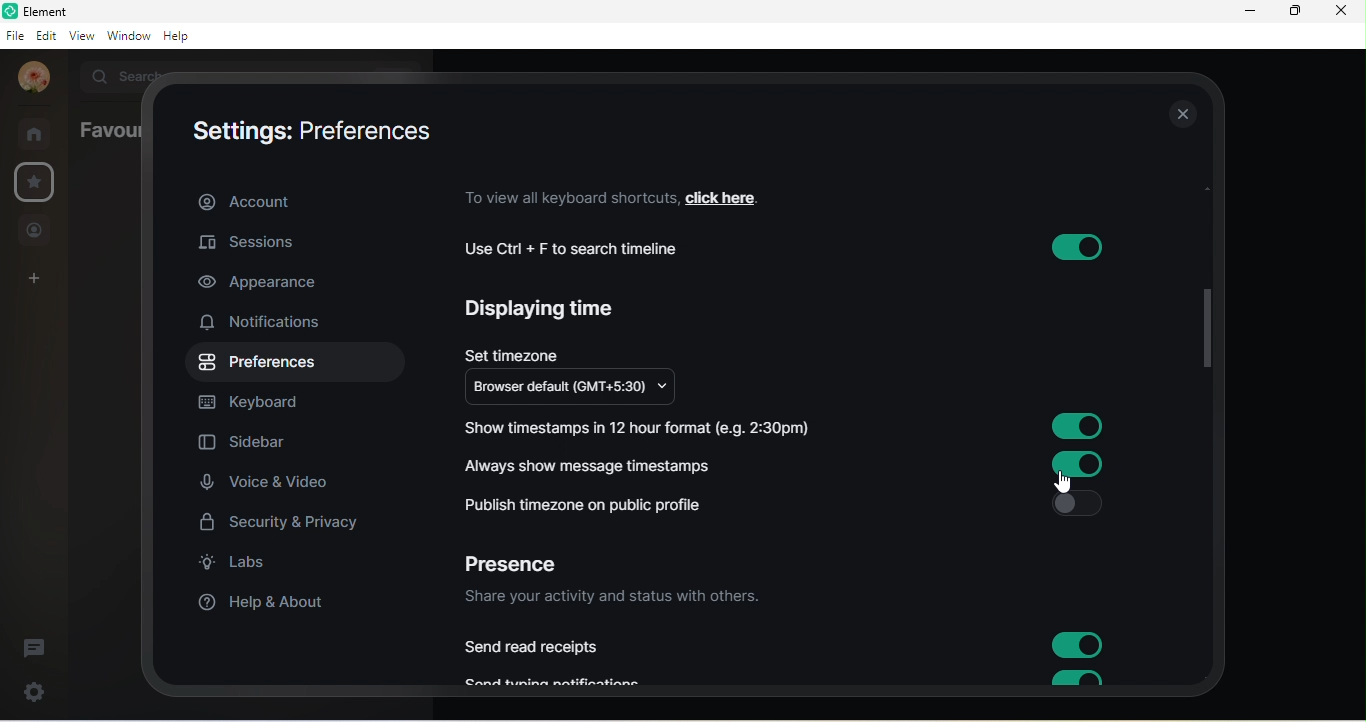 This screenshot has width=1366, height=722. Describe the element at coordinates (1078, 427) in the screenshot. I see `button` at that location.